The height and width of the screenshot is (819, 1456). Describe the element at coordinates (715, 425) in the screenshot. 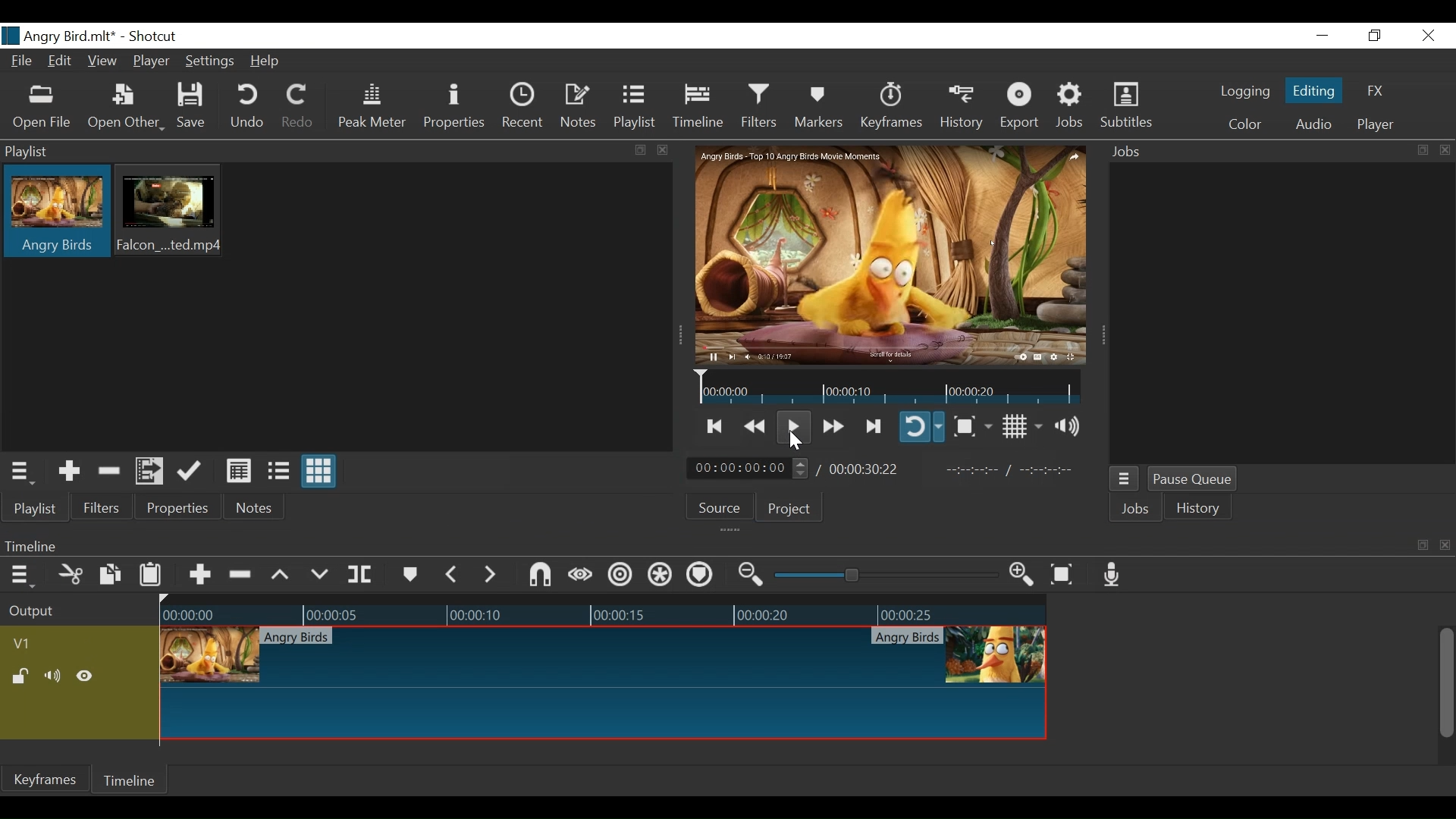

I see `Skip to the previous point` at that location.